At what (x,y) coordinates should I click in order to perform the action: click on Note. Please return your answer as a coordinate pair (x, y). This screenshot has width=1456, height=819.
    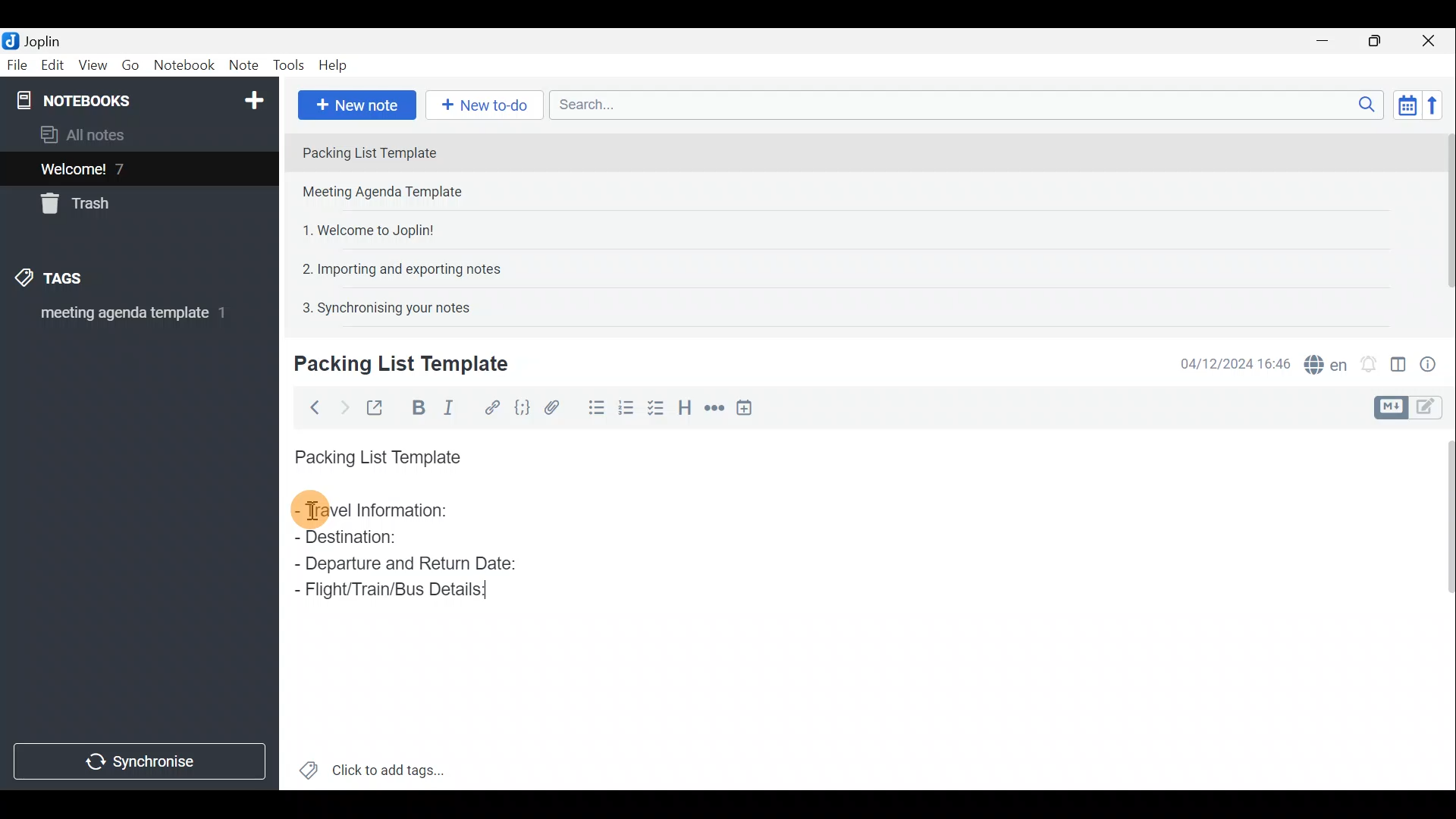
    Looking at the image, I should click on (243, 66).